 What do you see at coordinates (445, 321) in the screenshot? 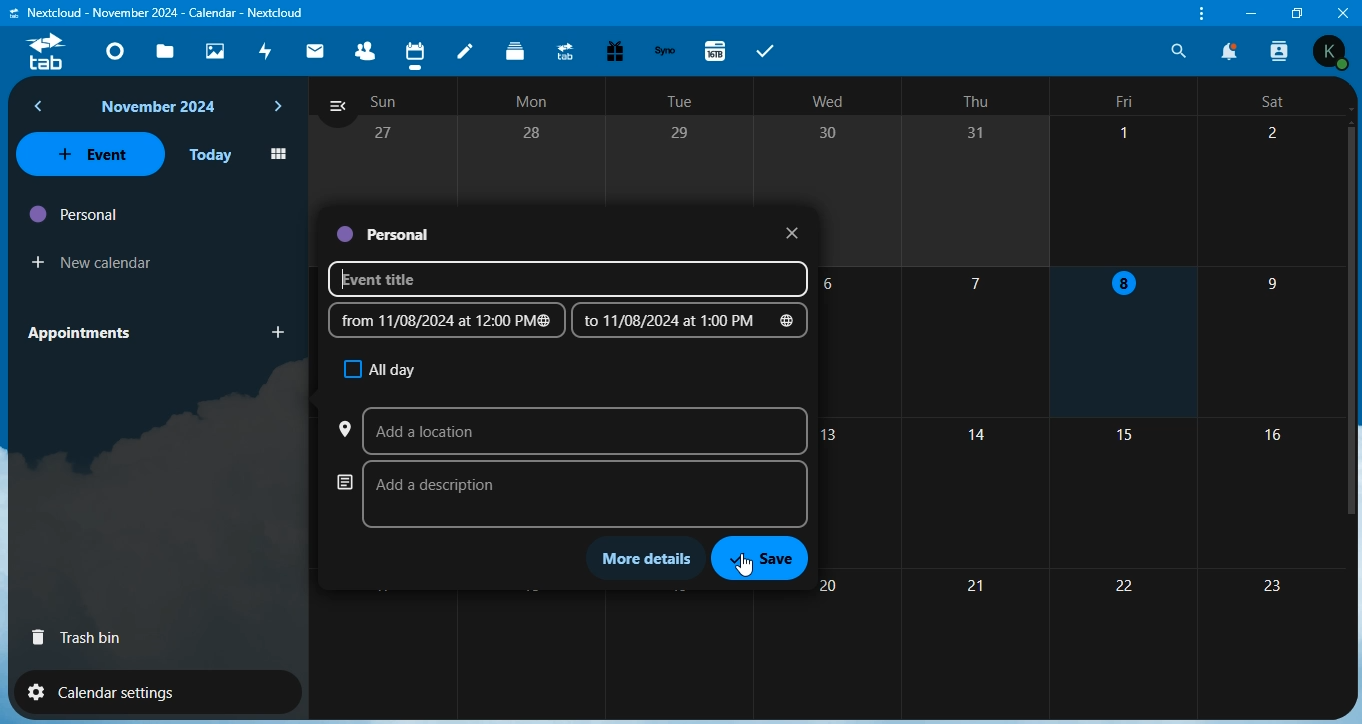
I see `date` at bounding box center [445, 321].